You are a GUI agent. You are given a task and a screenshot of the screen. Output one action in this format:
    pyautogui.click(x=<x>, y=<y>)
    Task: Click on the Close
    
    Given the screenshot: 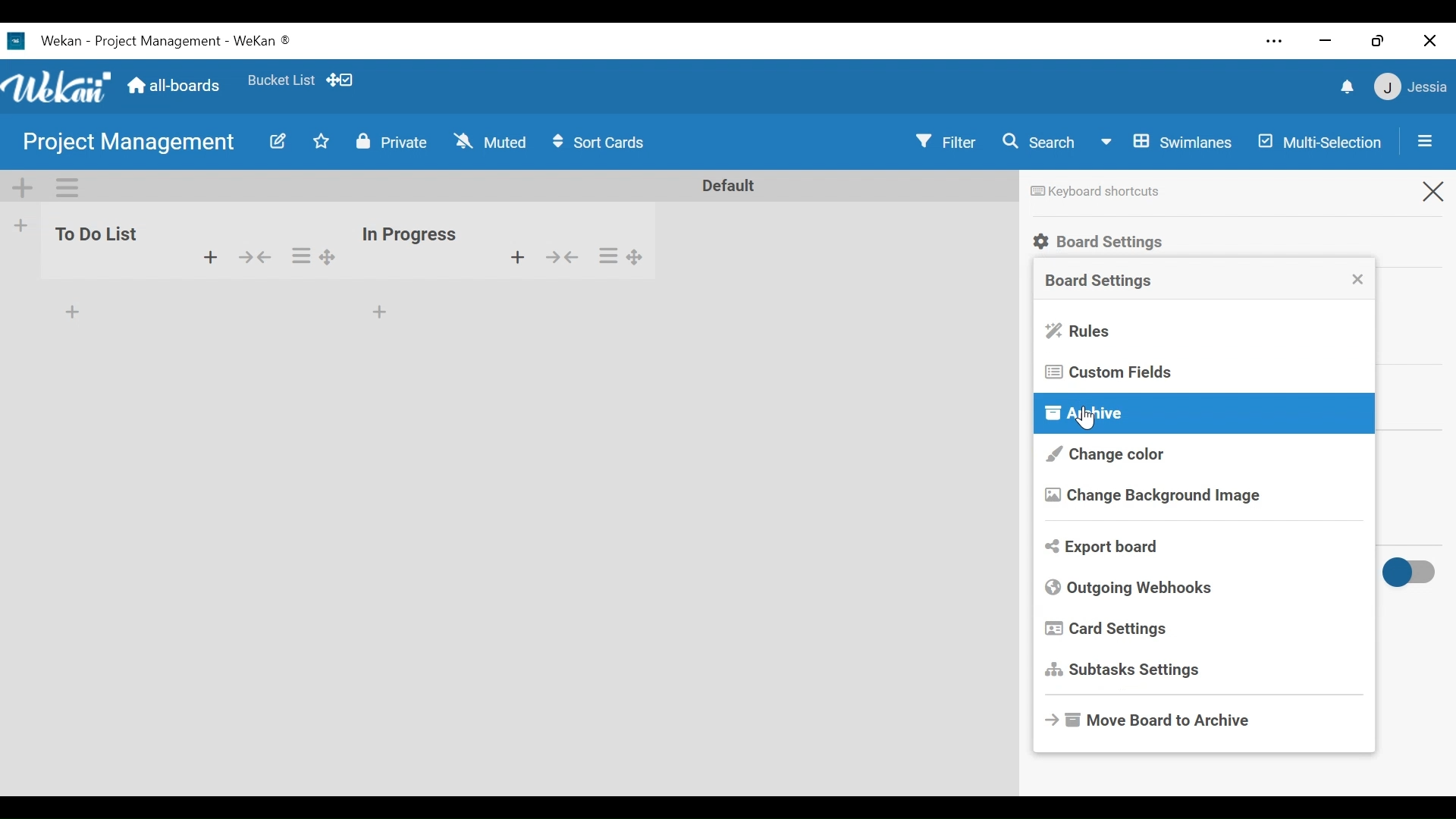 What is the action you would take?
    pyautogui.click(x=1430, y=192)
    